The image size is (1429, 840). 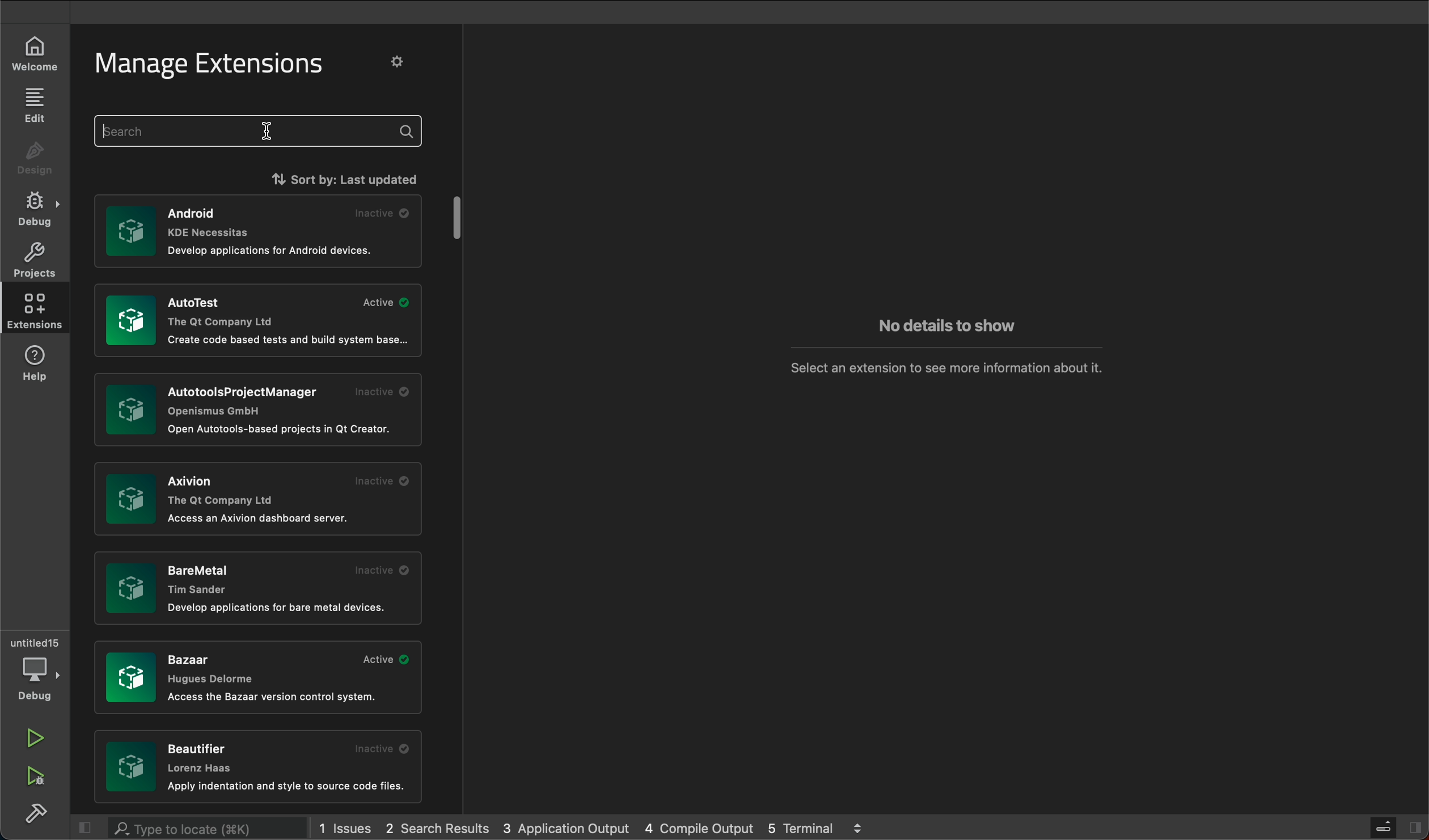 What do you see at coordinates (197, 826) in the screenshot?
I see `search` at bounding box center [197, 826].